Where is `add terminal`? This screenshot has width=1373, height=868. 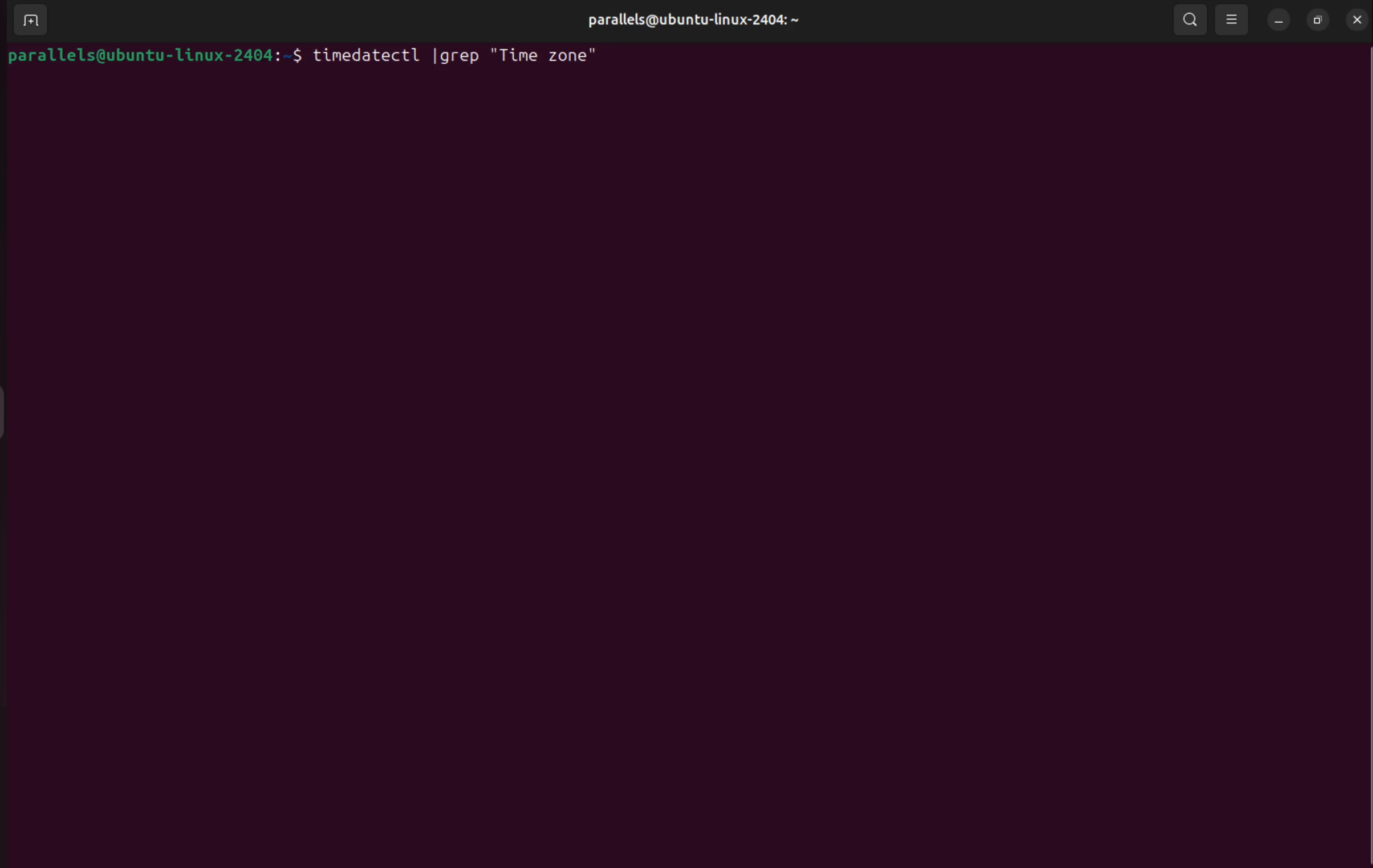 add terminal is located at coordinates (30, 19).